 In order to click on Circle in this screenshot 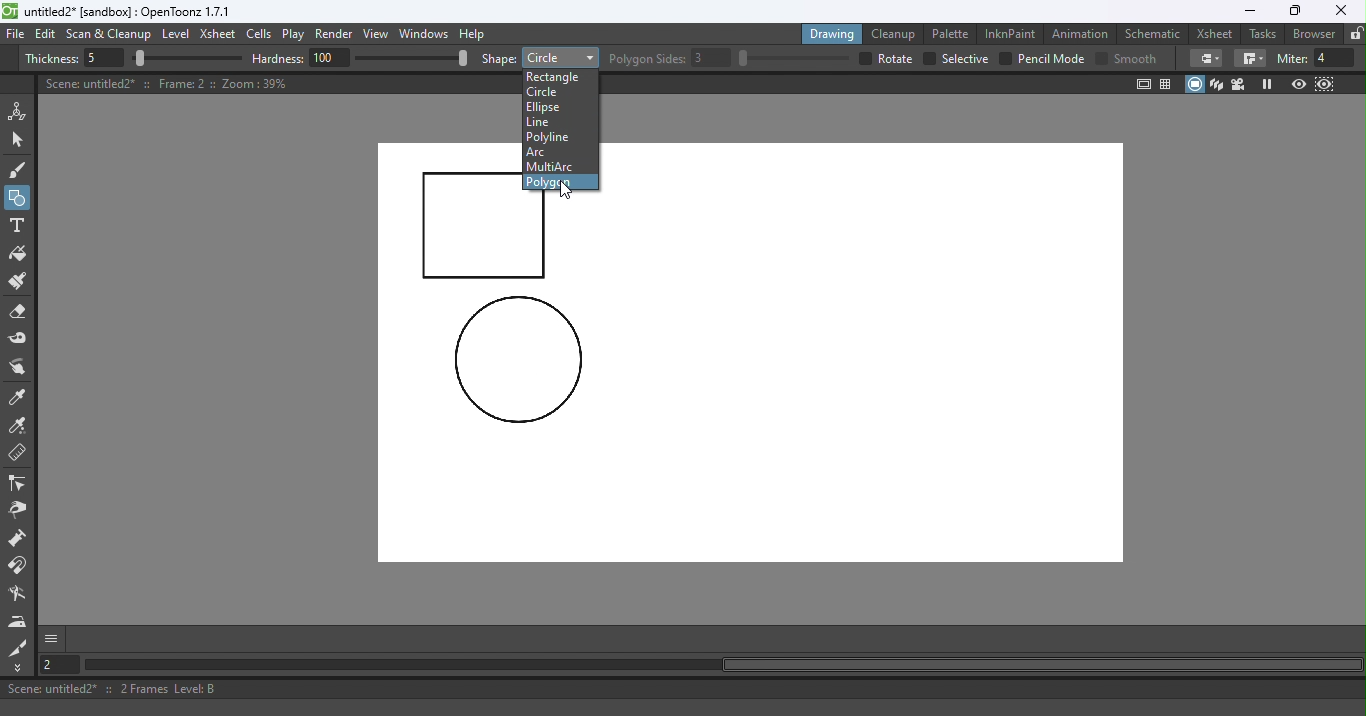, I will do `click(560, 92)`.